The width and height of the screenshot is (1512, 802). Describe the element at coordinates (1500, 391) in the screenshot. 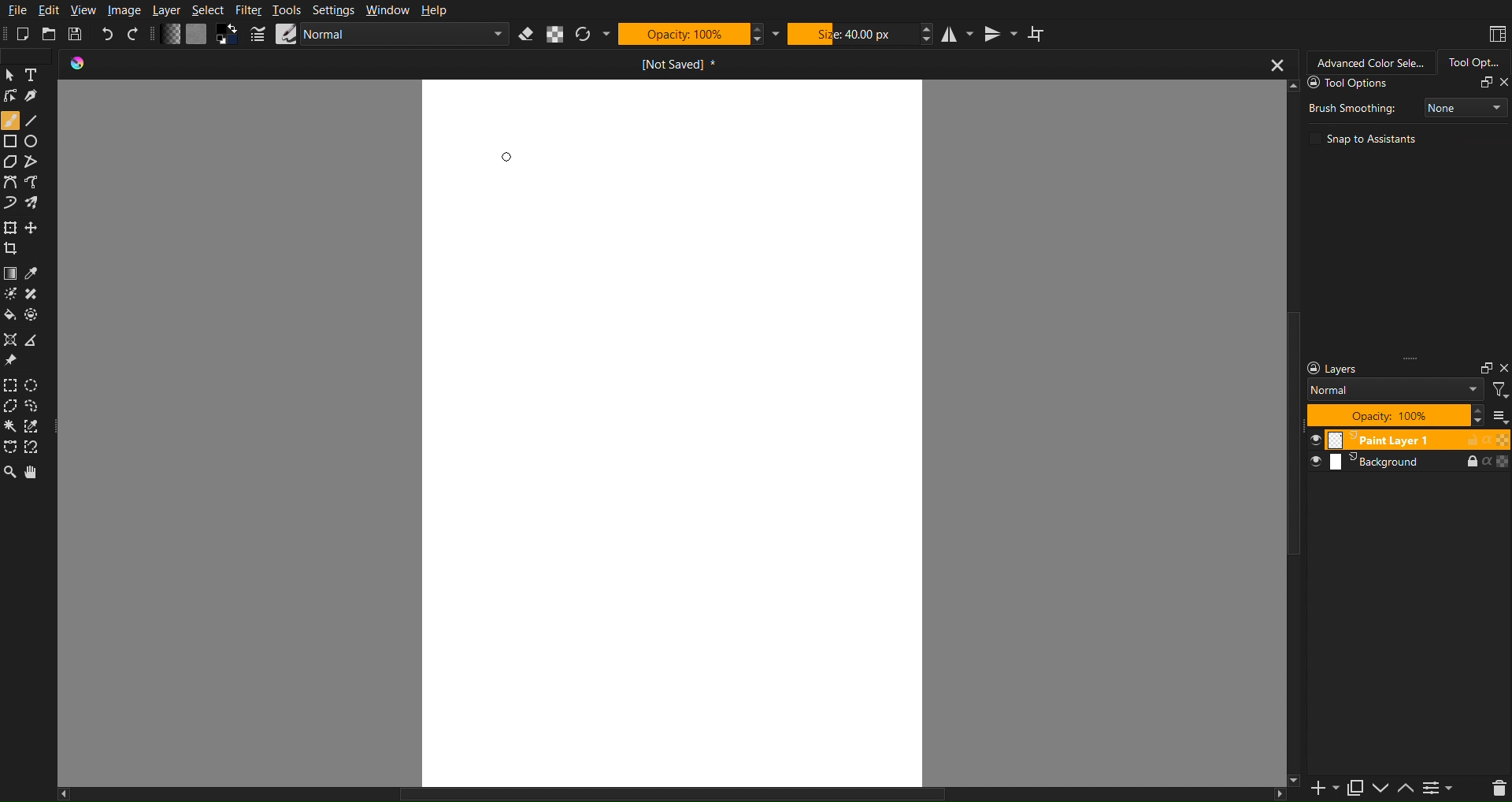

I see `Filter` at that location.